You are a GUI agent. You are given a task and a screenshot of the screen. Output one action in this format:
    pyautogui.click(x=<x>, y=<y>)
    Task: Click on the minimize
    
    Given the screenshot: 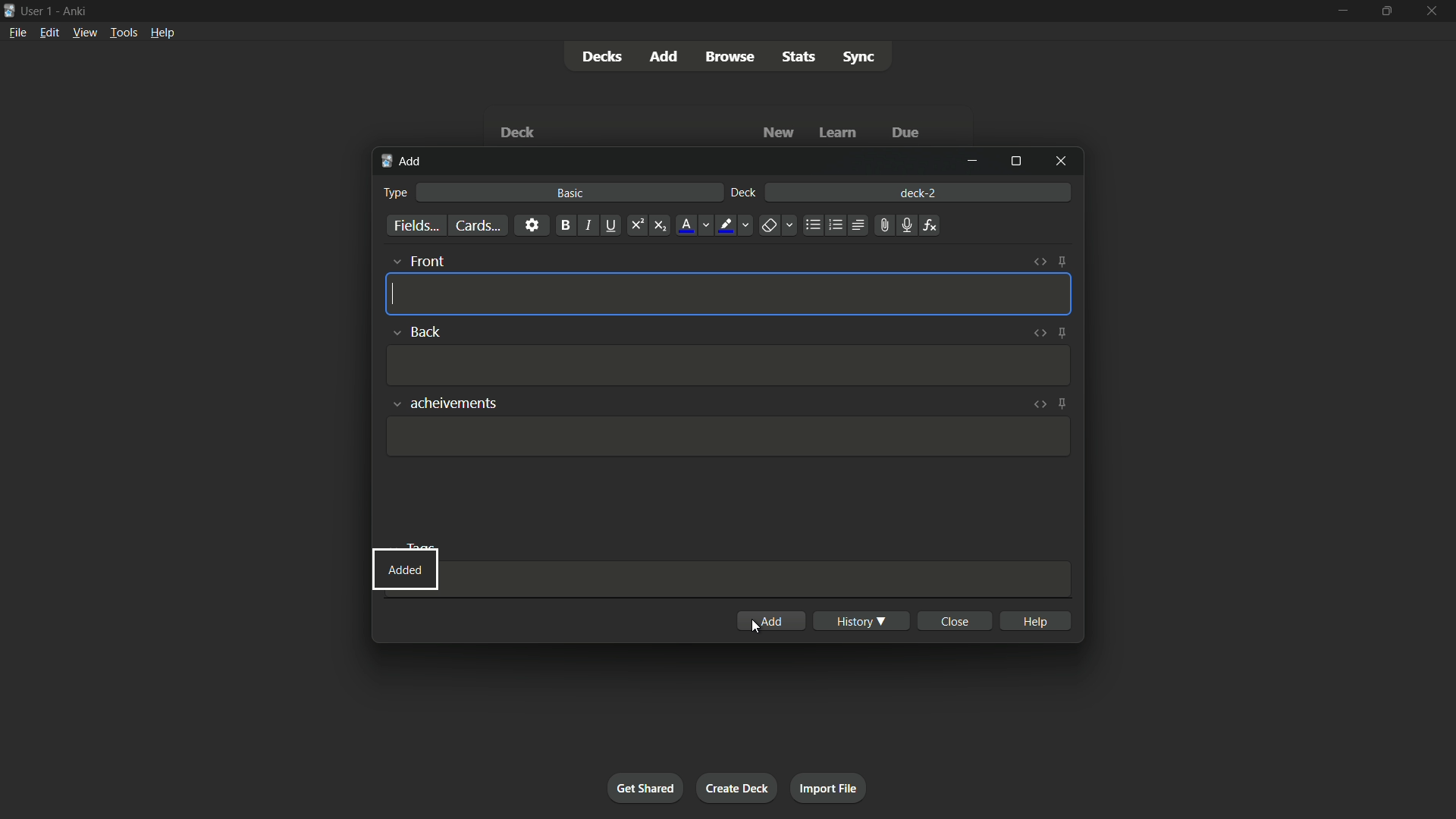 What is the action you would take?
    pyautogui.click(x=1341, y=12)
    